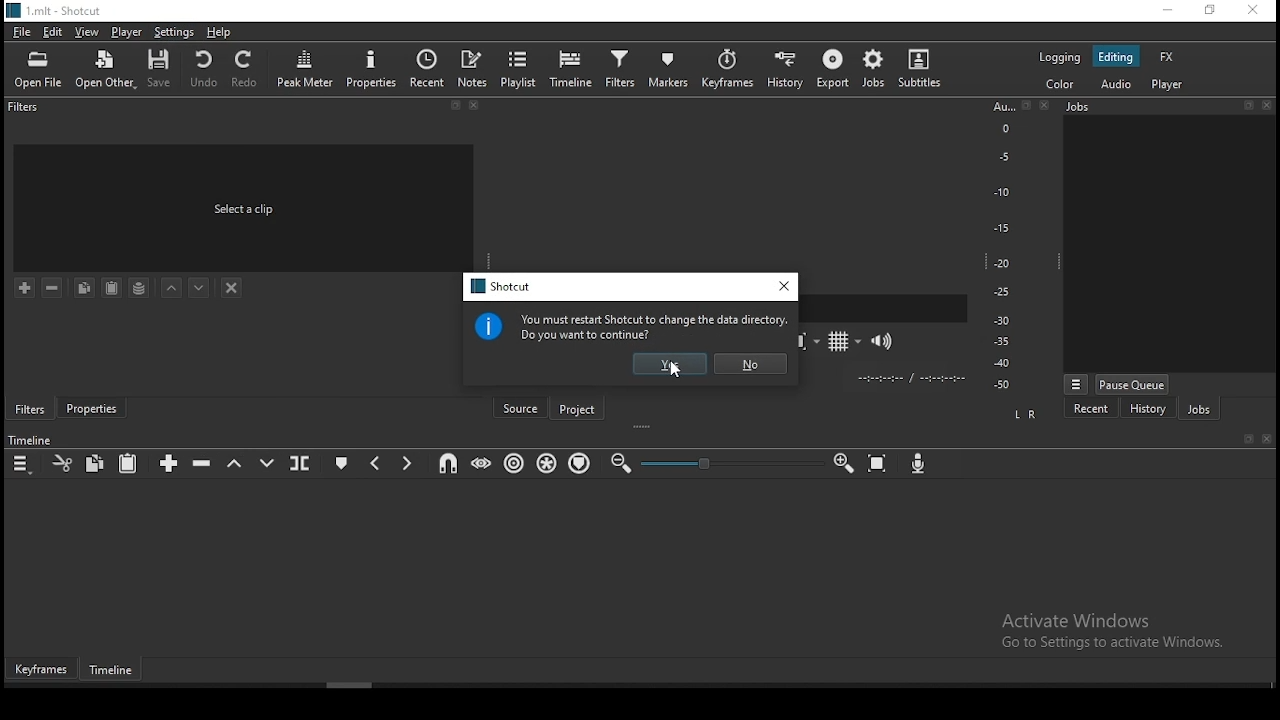 This screenshot has height=720, width=1280. I want to click on history, so click(1148, 409).